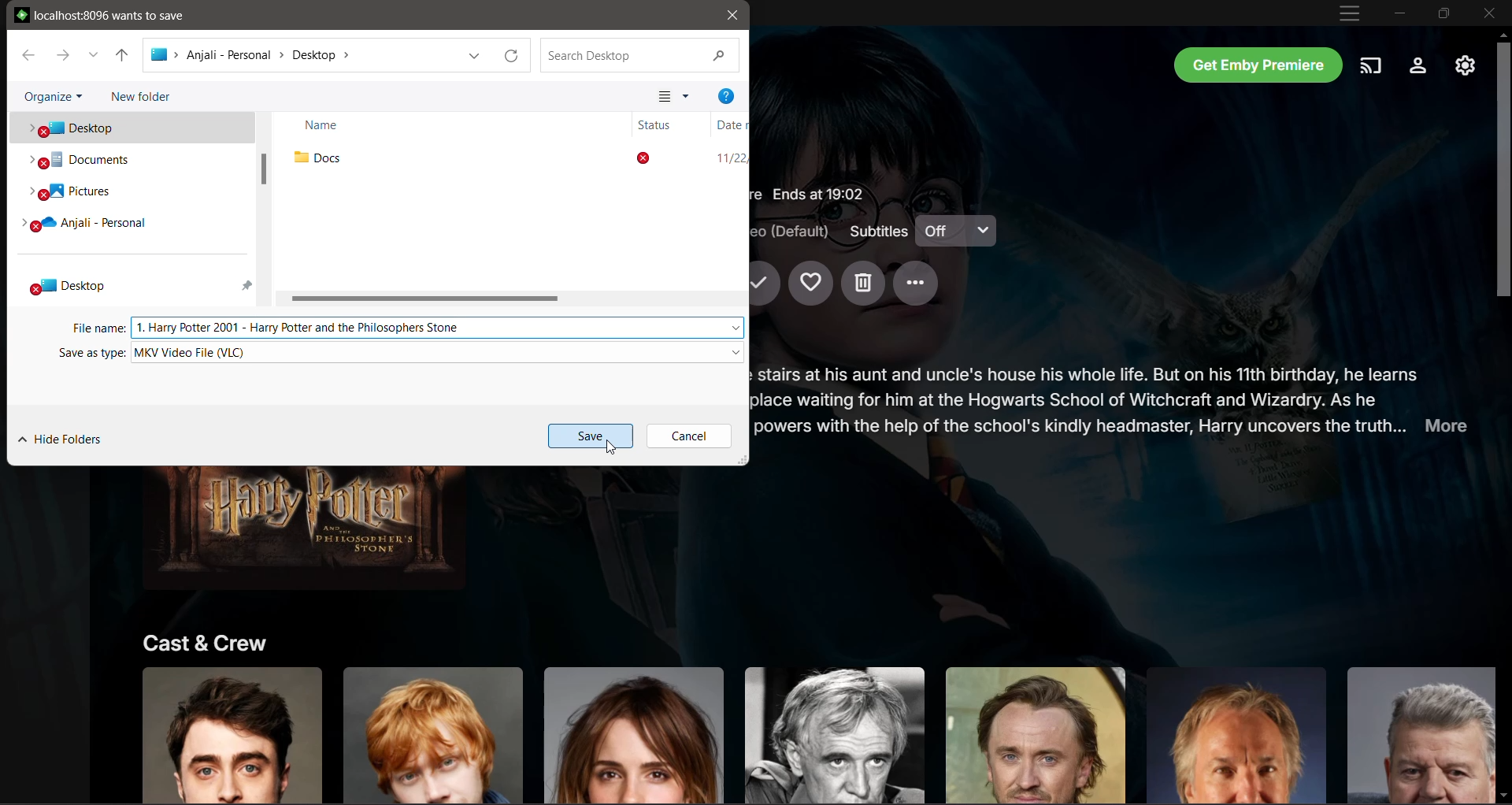 This screenshot has height=805, width=1512. What do you see at coordinates (1415, 734) in the screenshot?
I see `Click to know more about actor` at bounding box center [1415, 734].